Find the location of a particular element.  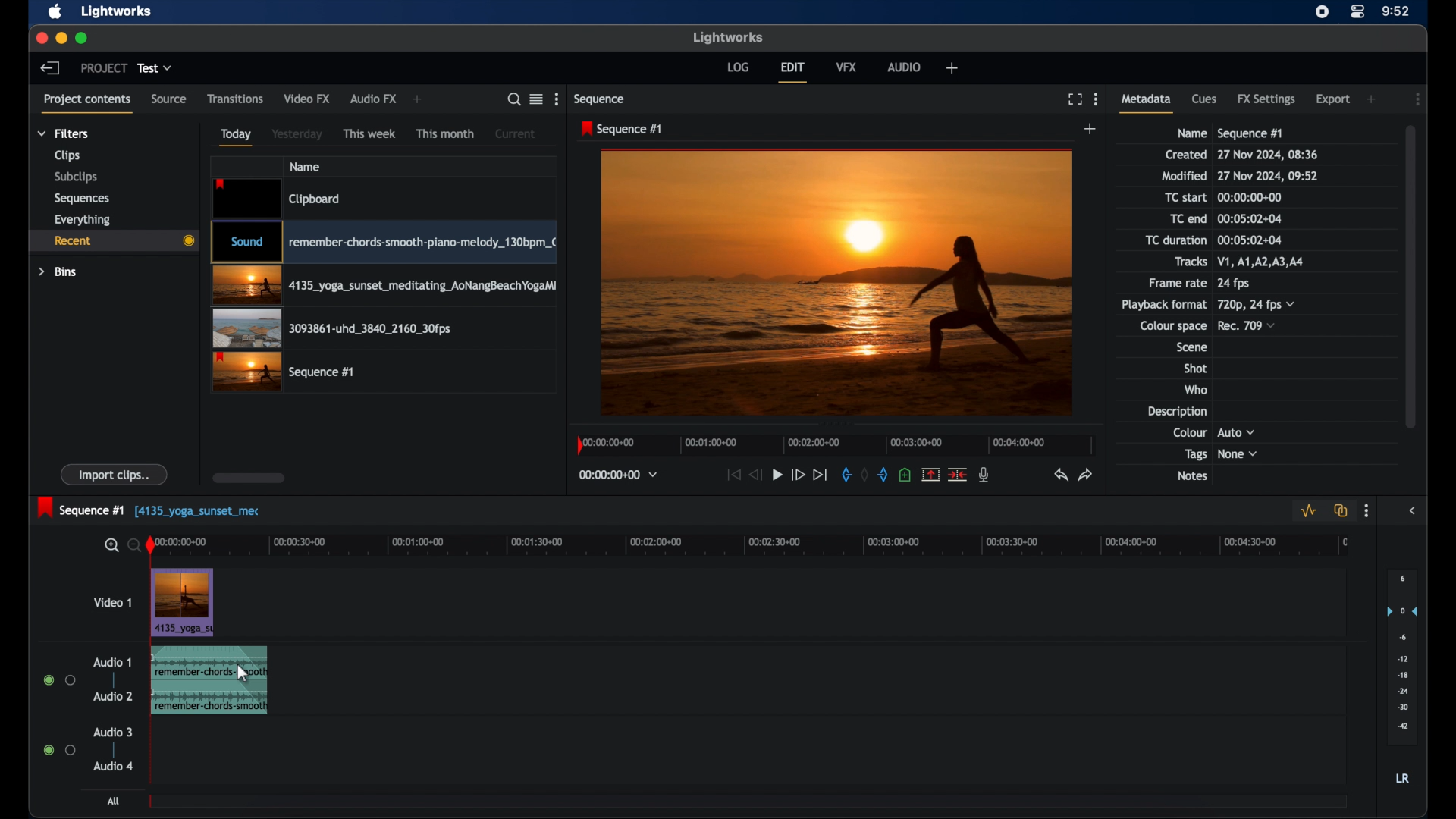

audio is located at coordinates (905, 67).